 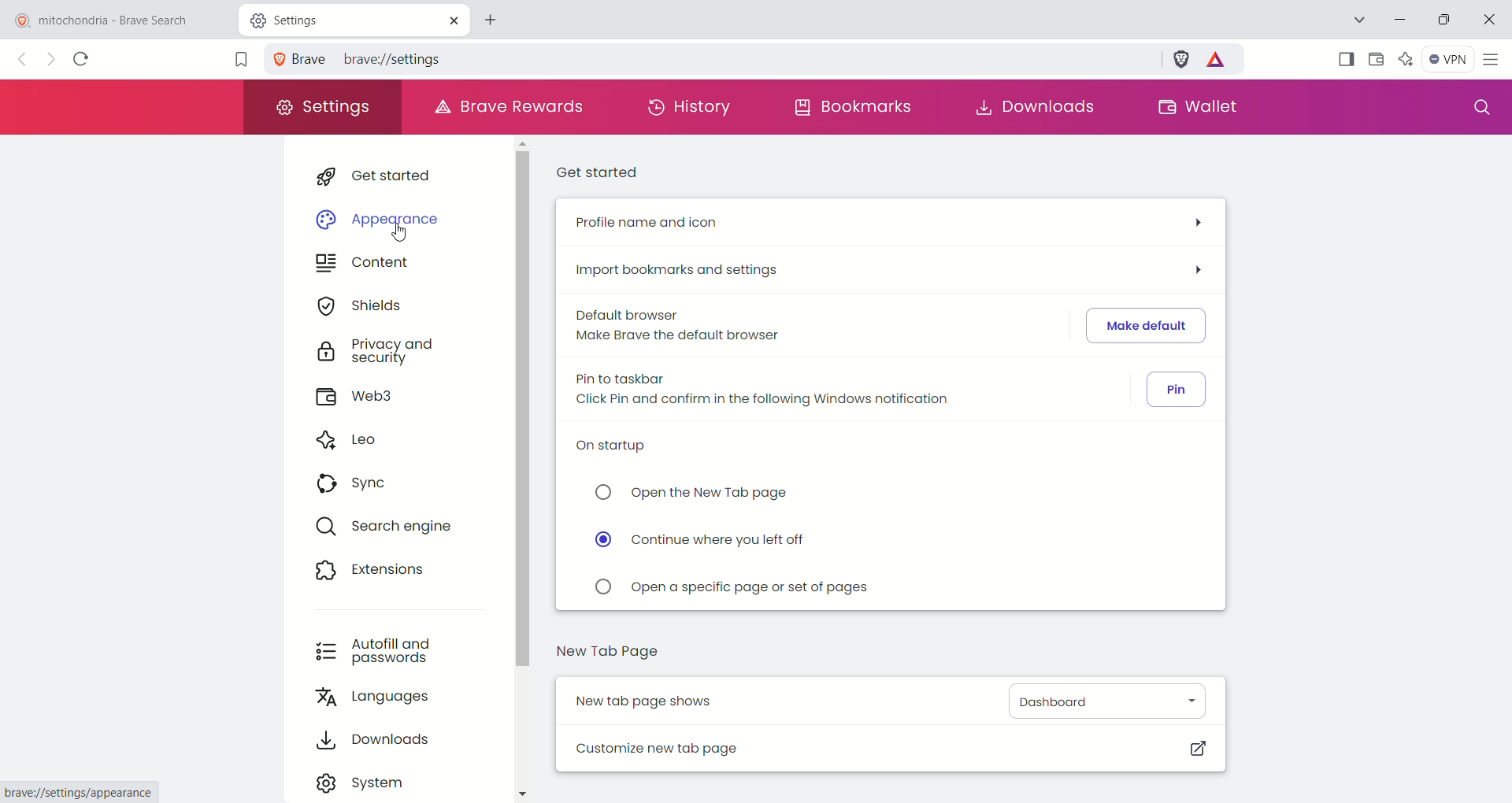 What do you see at coordinates (402, 57) in the screenshot?
I see `brave//settings` at bounding box center [402, 57].